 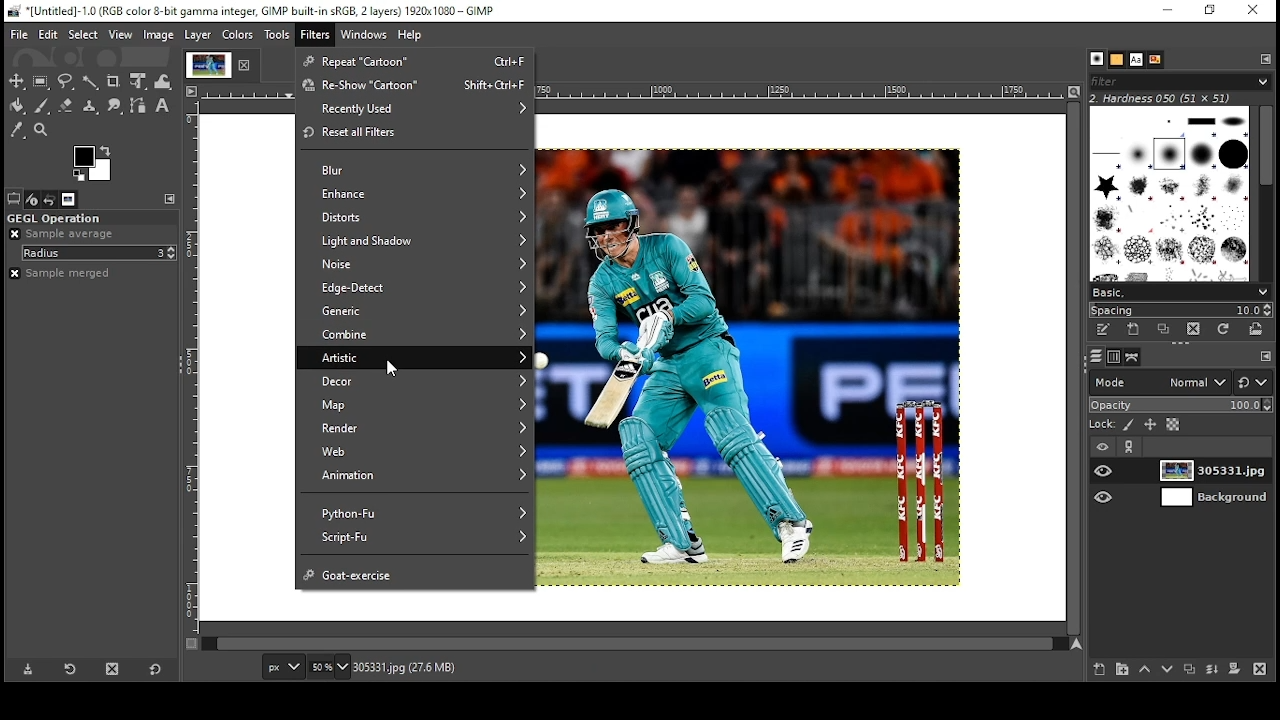 What do you see at coordinates (1136, 60) in the screenshot?
I see `fonts` at bounding box center [1136, 60].